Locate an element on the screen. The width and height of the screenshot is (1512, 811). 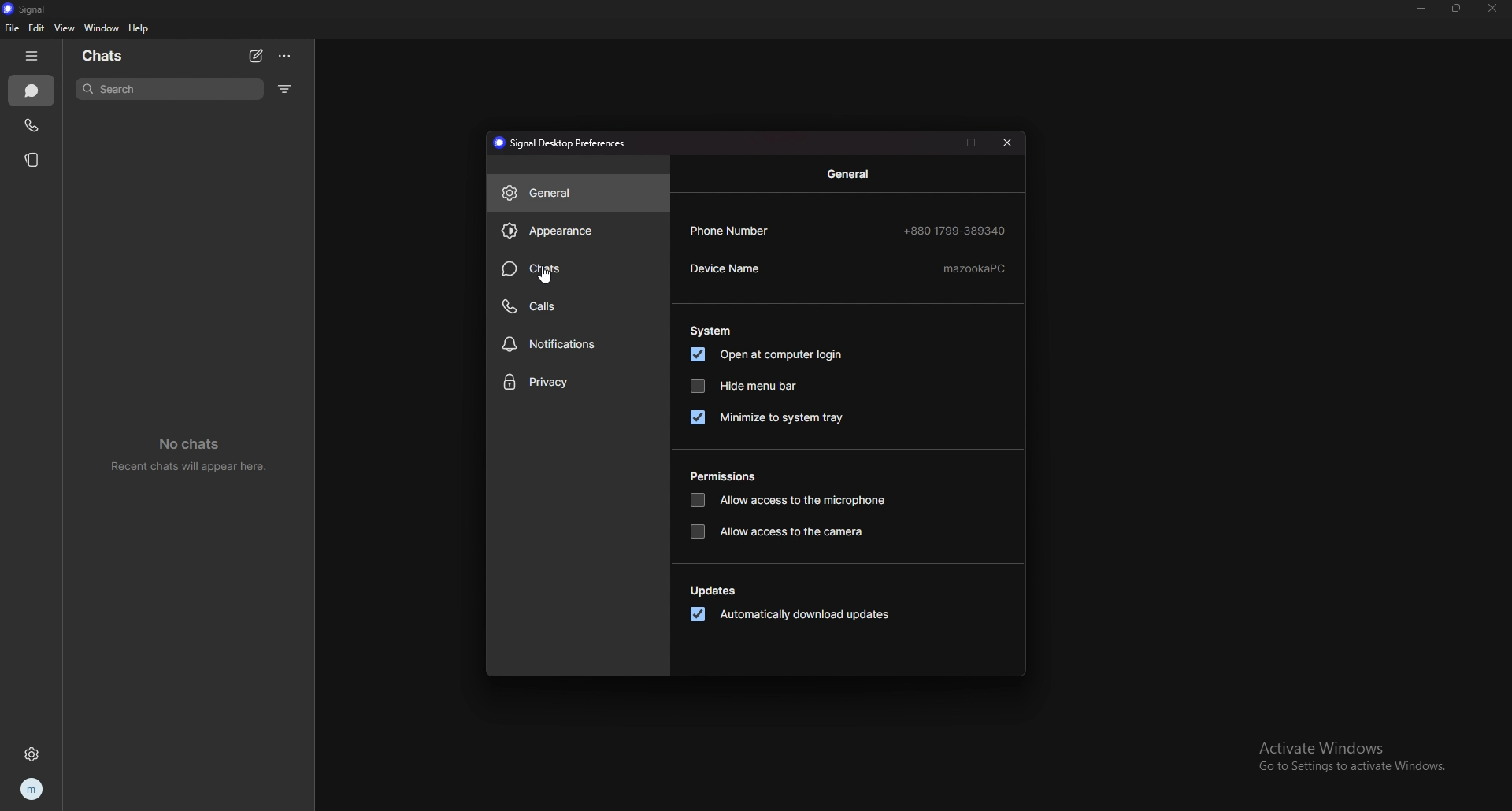
edit is located at coordinates (38, 28).